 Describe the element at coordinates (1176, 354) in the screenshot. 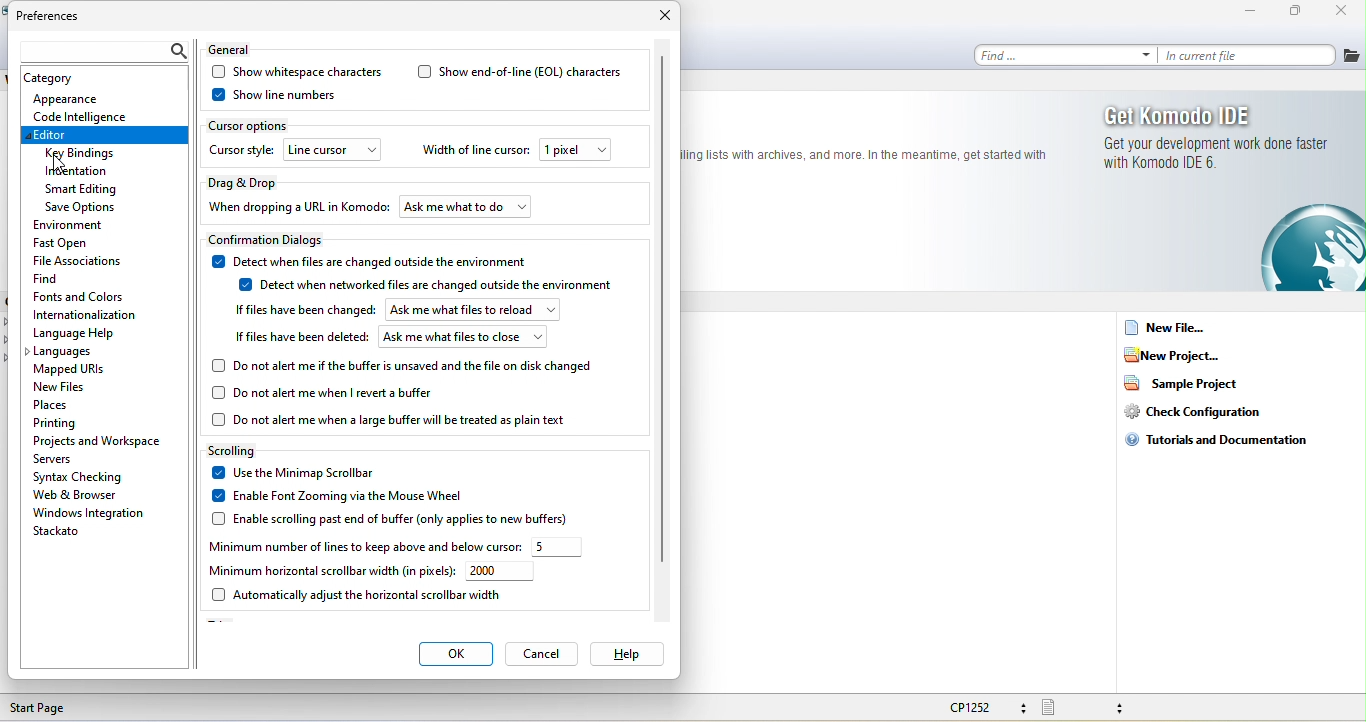

I see `new project` at that location.